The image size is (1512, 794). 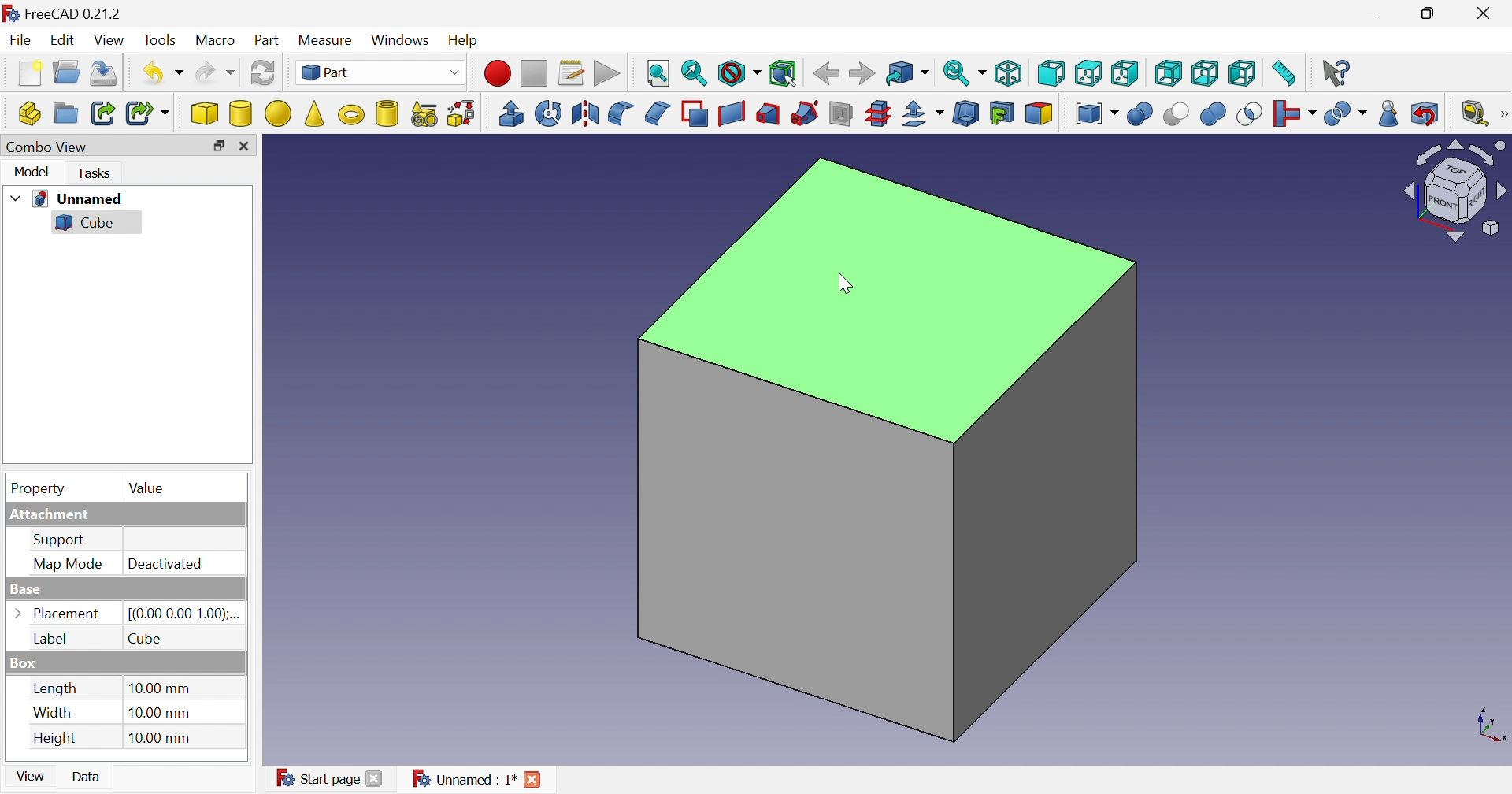 What do you see at coordinates (1492, 724) in the screenshot?
I see `x, y plane` at bounding box center [1492, 724].